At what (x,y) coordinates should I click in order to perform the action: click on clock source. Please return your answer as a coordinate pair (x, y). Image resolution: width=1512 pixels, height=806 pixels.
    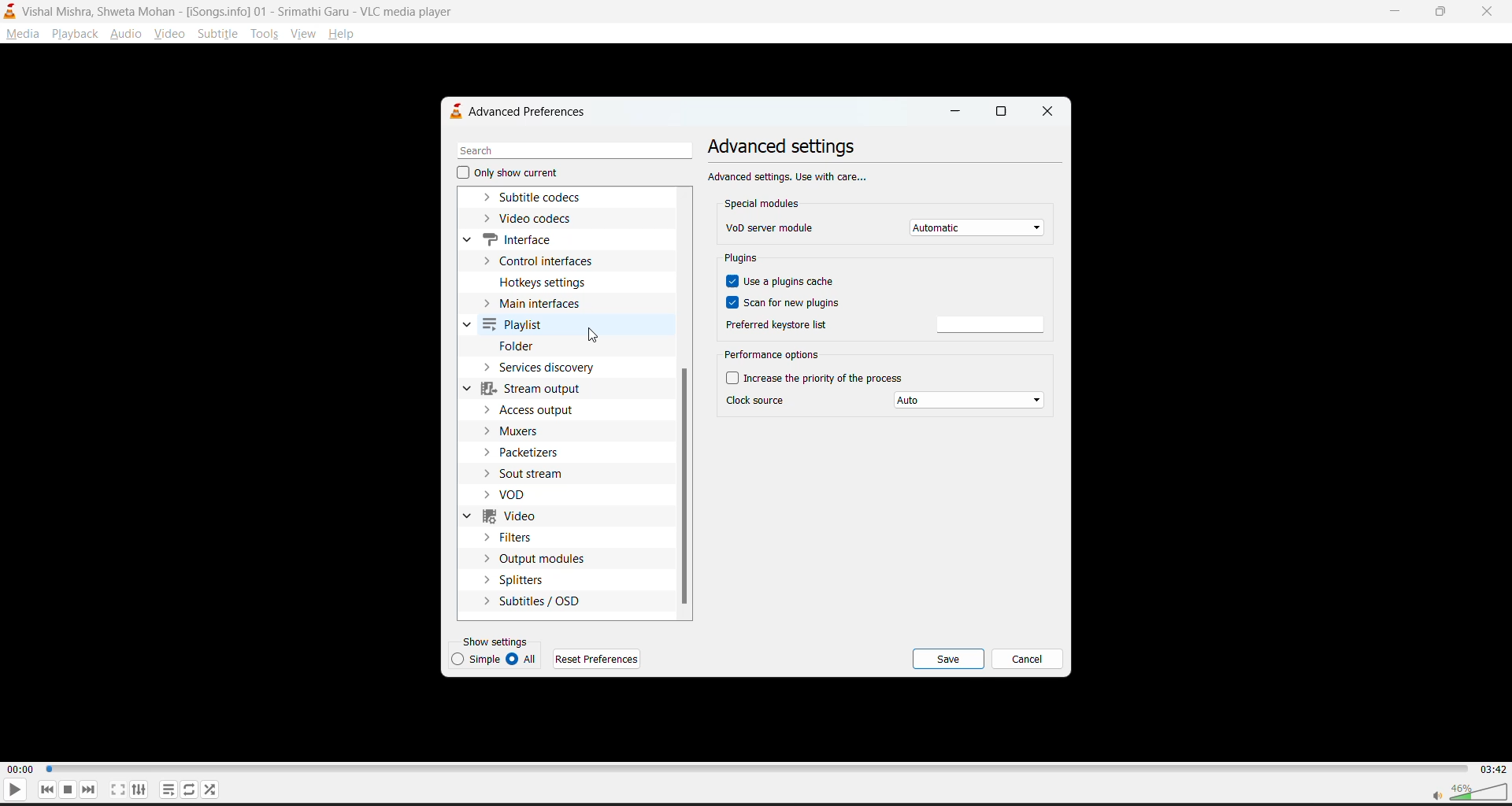
    Looking at the image, I should click on (761, 401).